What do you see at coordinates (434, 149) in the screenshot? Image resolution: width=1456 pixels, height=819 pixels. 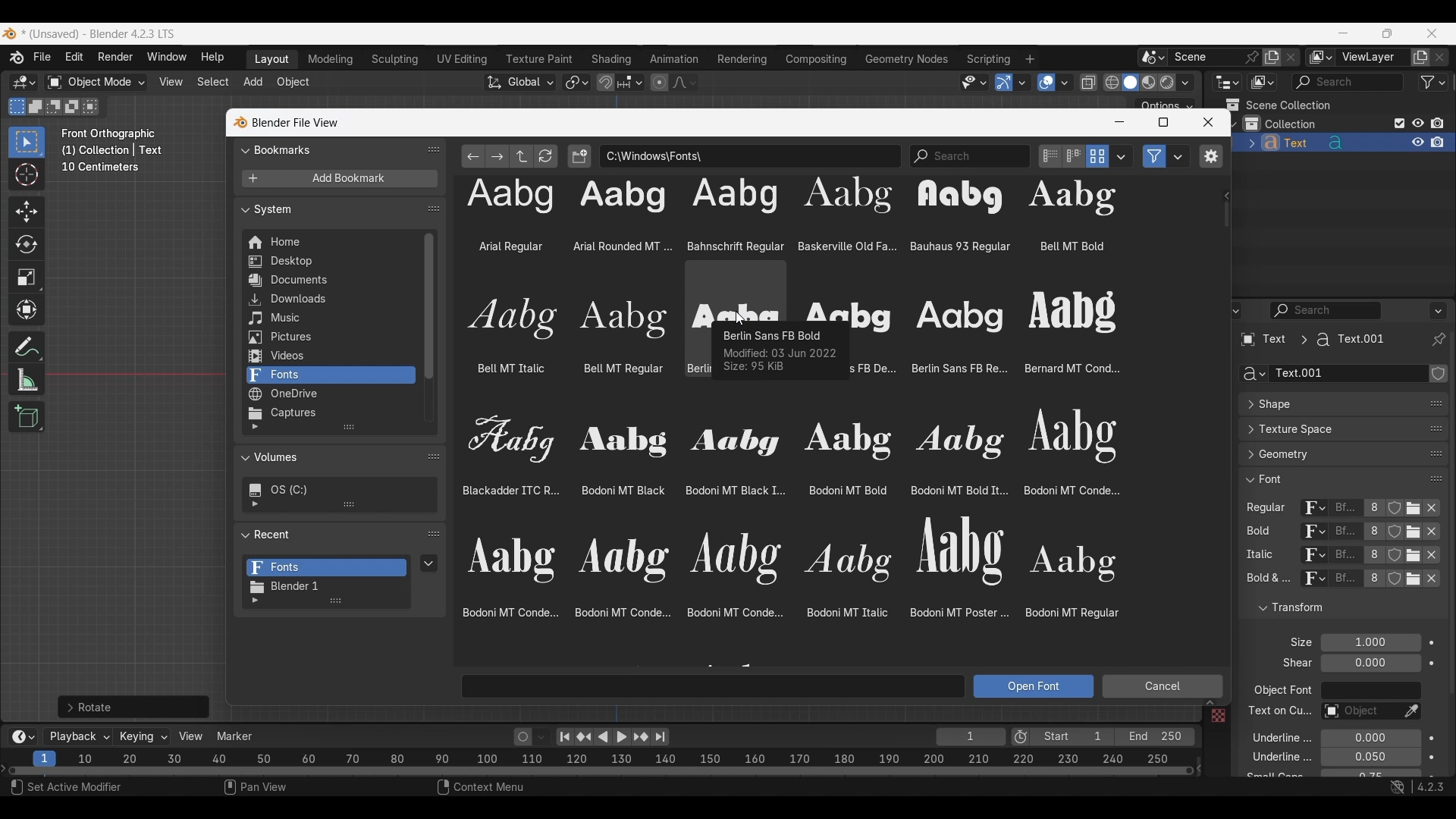 I see `Change order in list` at bounding box center [434, 149].